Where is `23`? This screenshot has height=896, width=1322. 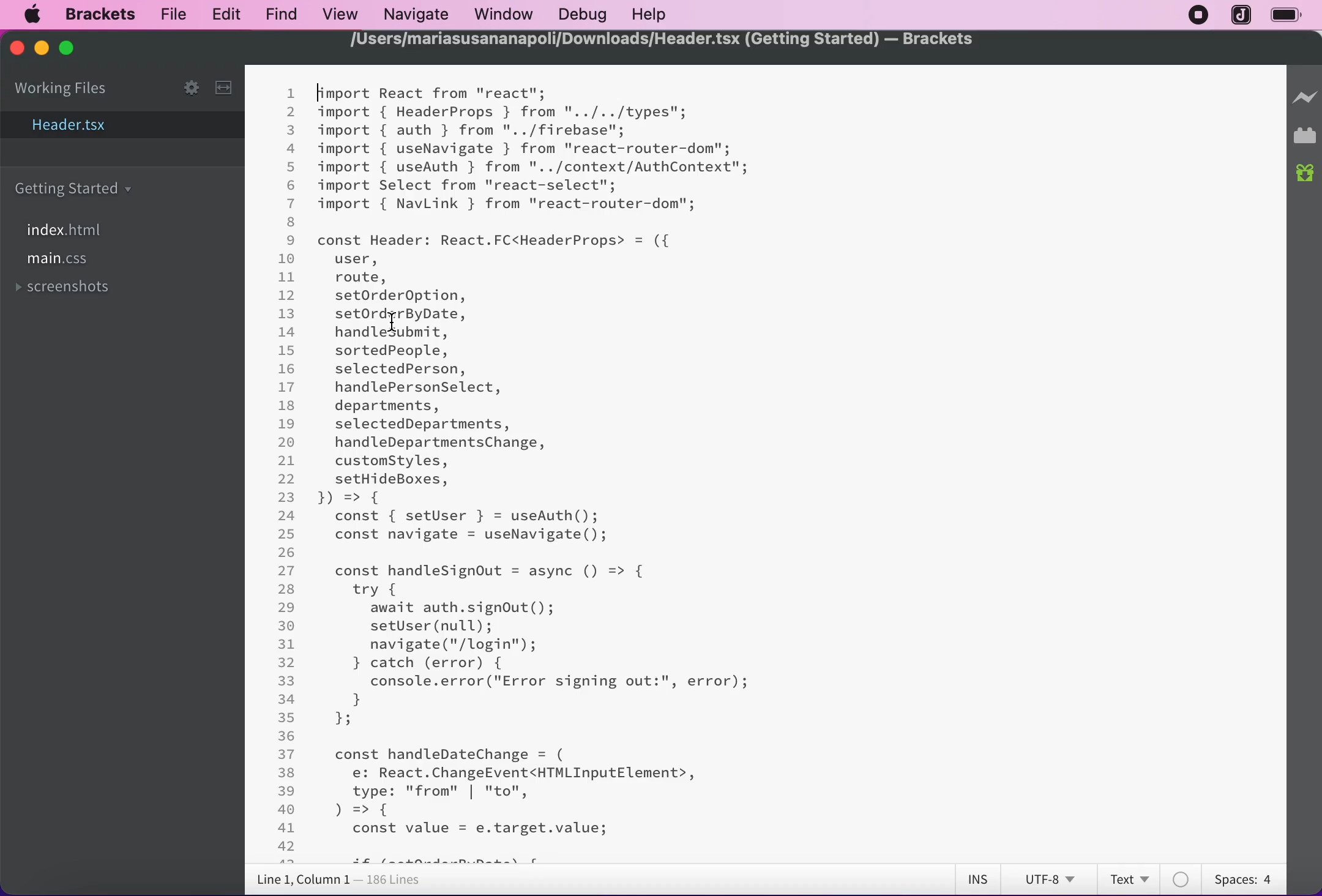 23 is located at coordinates (287, 498).